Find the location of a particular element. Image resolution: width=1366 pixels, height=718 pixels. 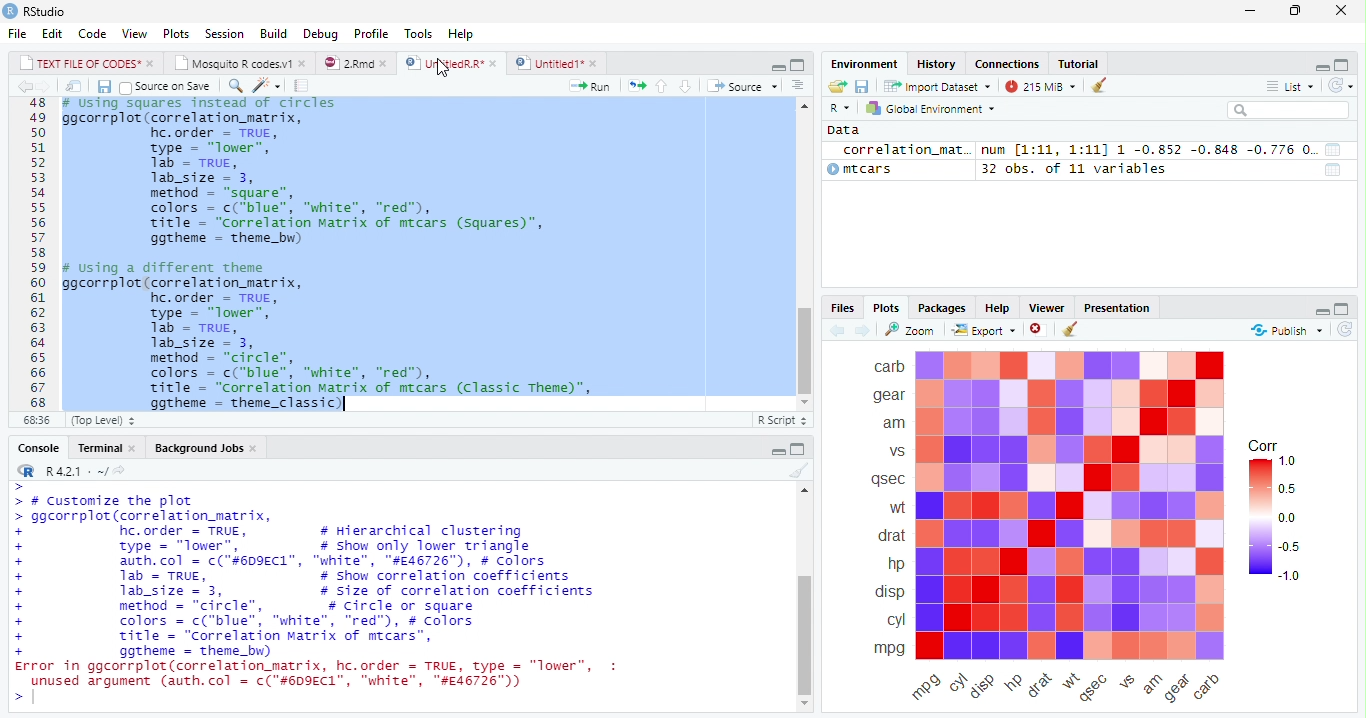

search bar is located at coordinates (1295, 110).